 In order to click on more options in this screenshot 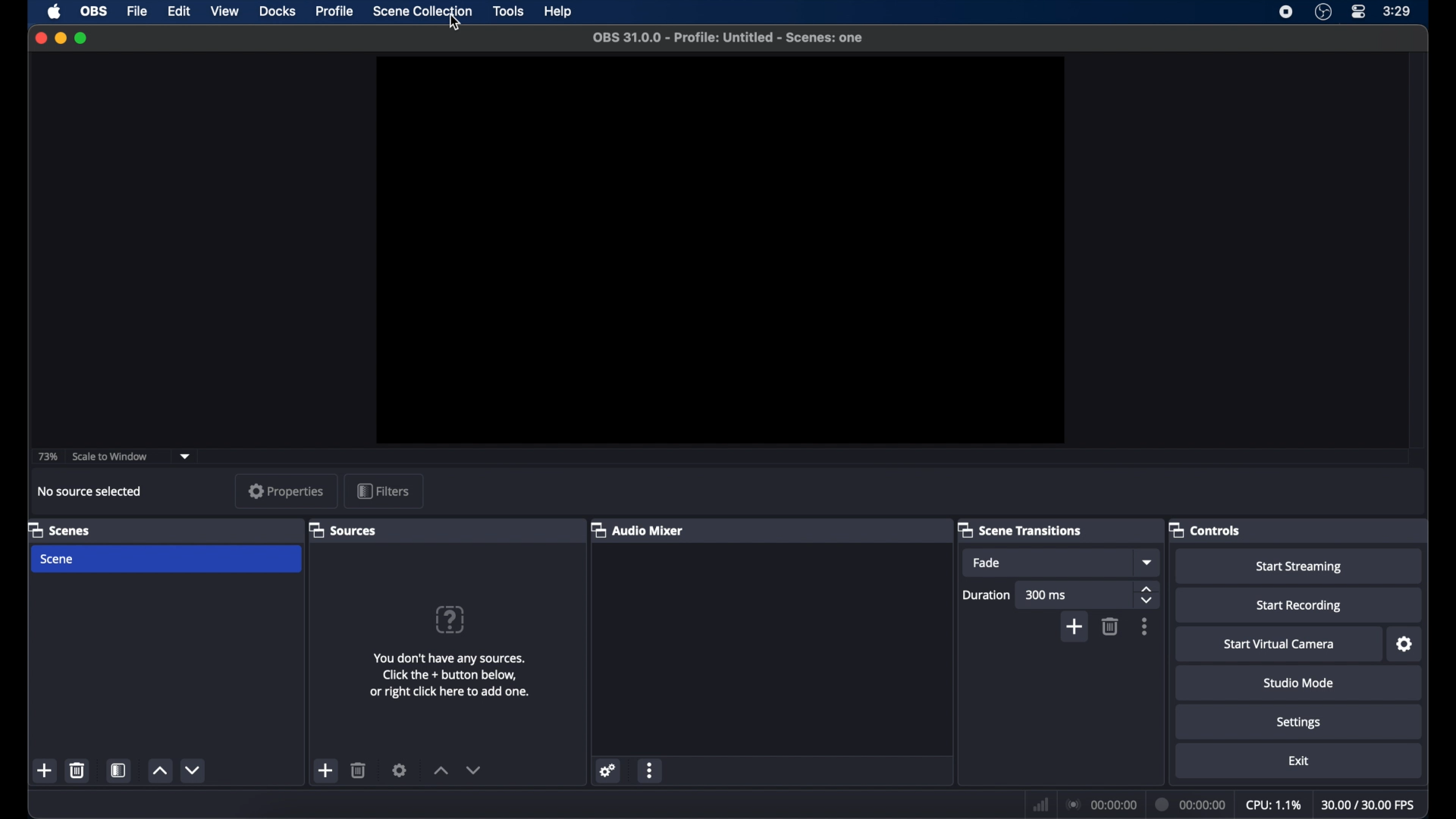, I will do `click(1145, 626)`.